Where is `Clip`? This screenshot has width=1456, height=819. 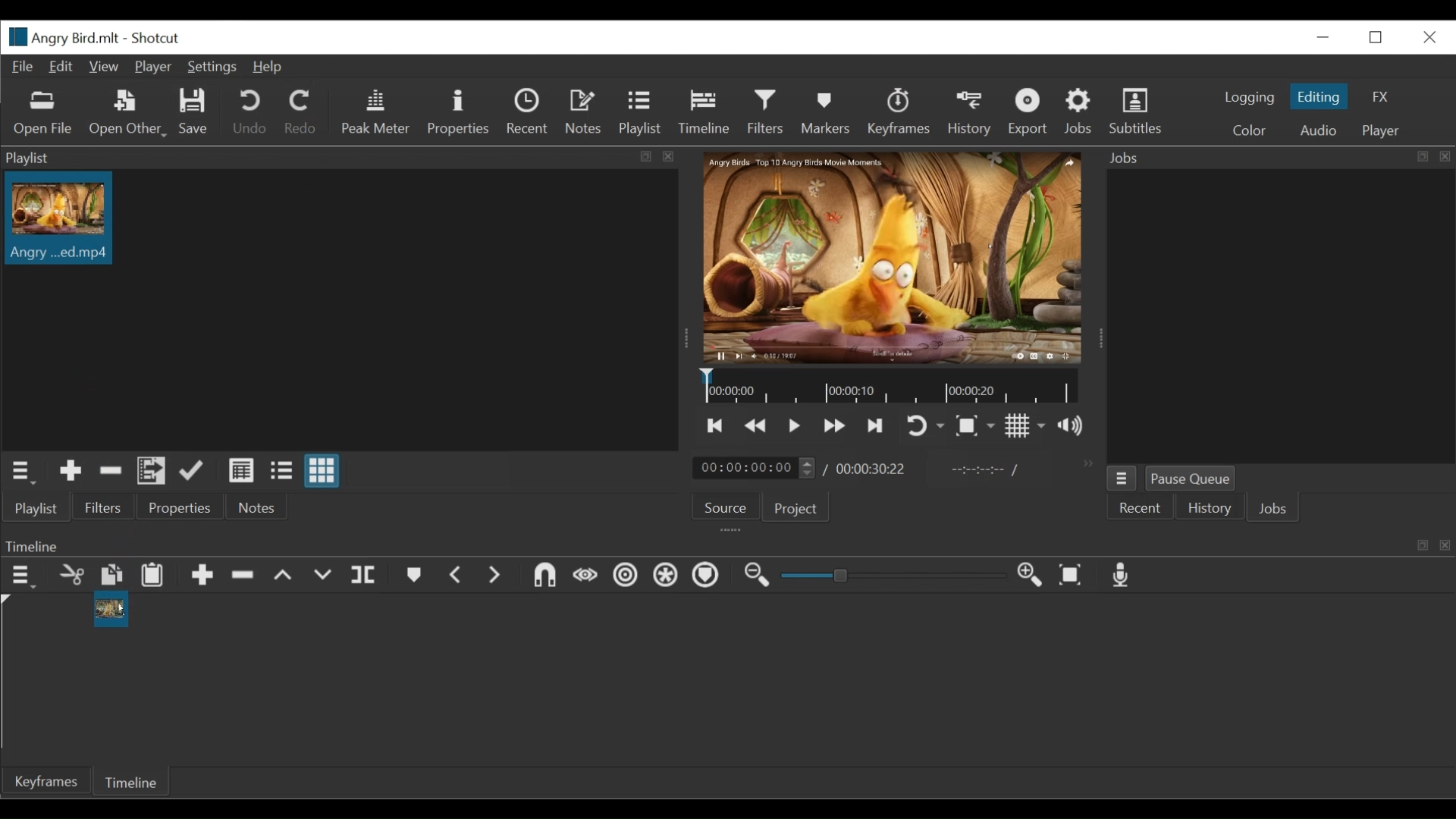 Clip is located at coordinates (111, 610).